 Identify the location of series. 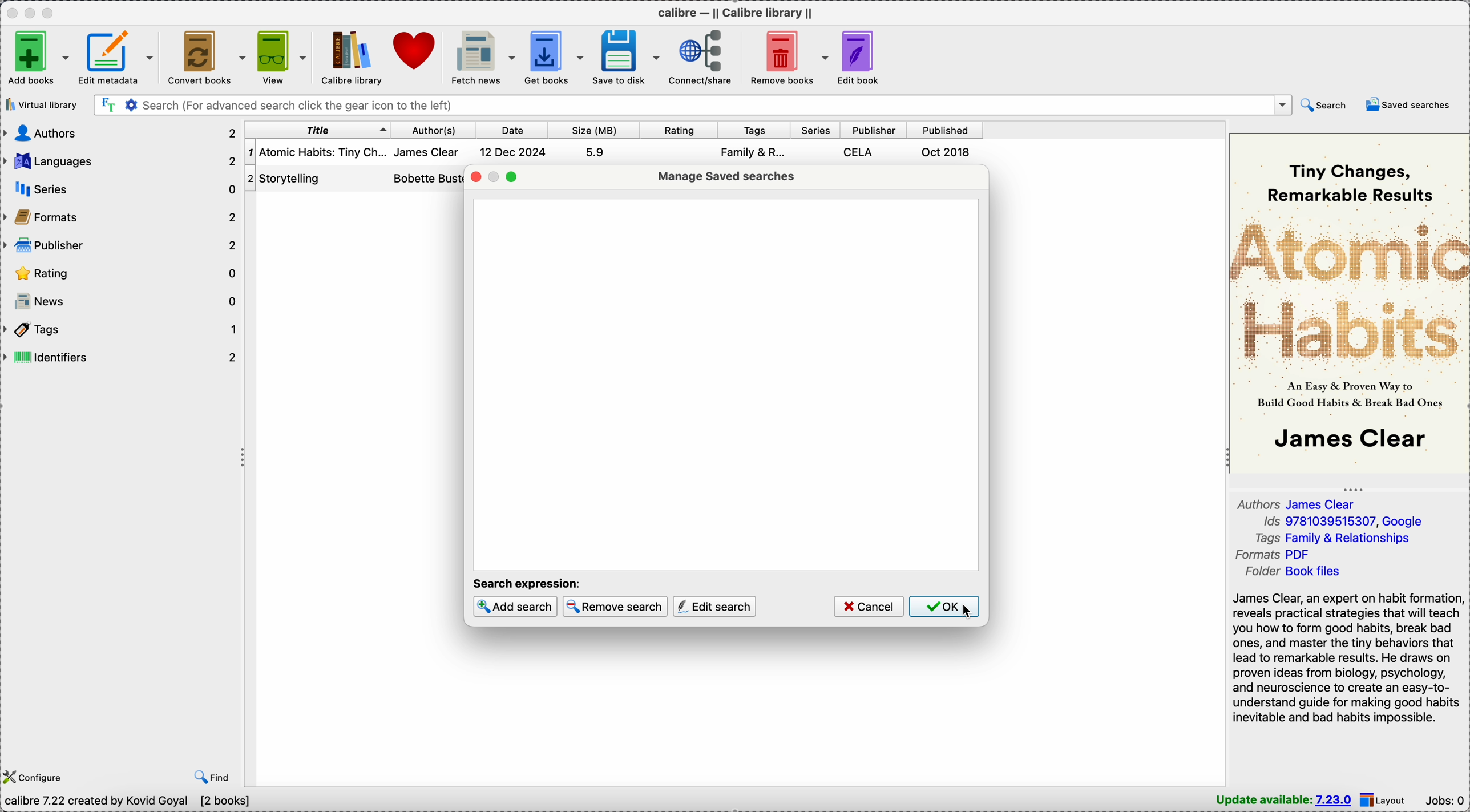
(811, 130).